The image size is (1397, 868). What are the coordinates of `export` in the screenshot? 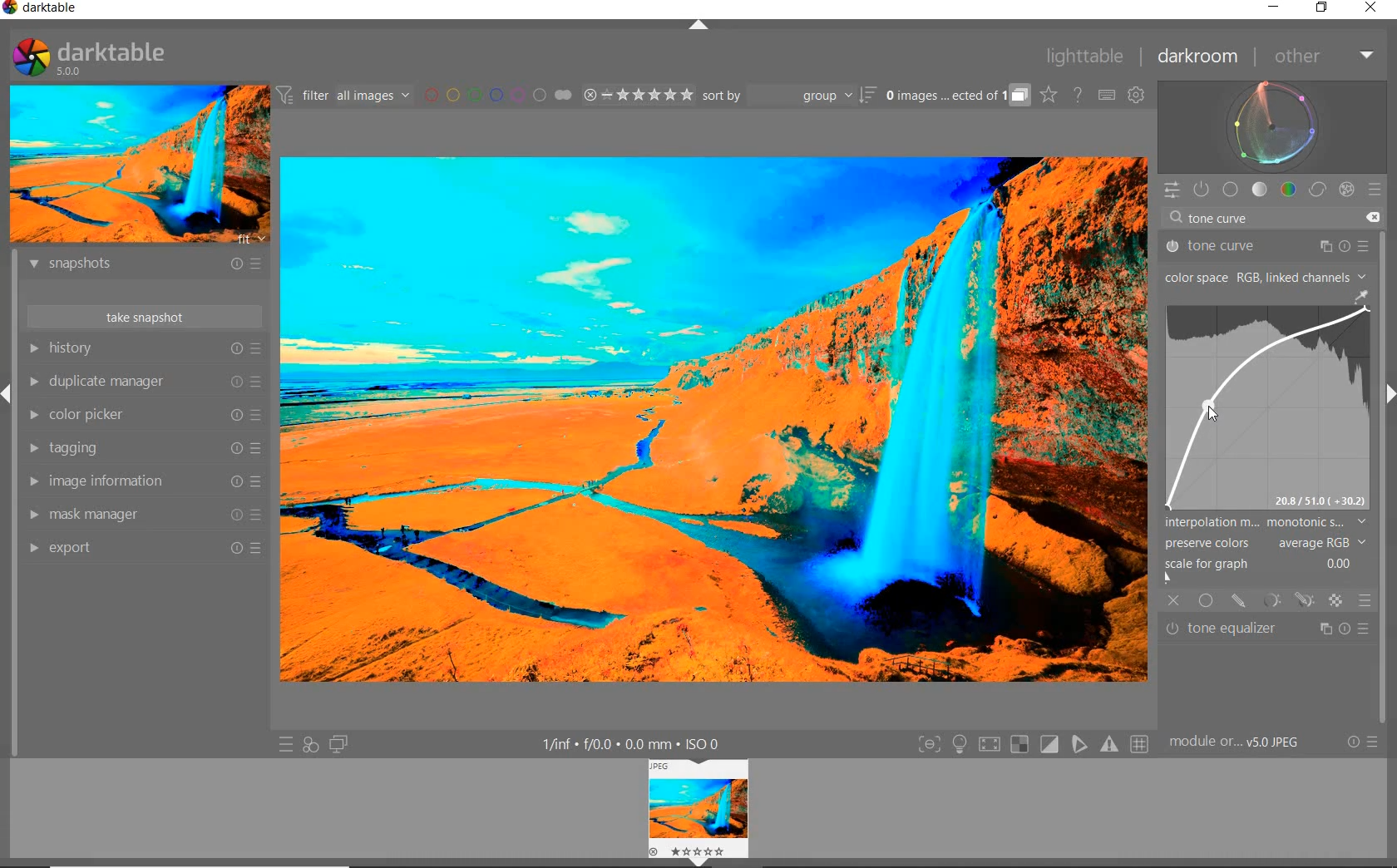 It's located at (146, 550).